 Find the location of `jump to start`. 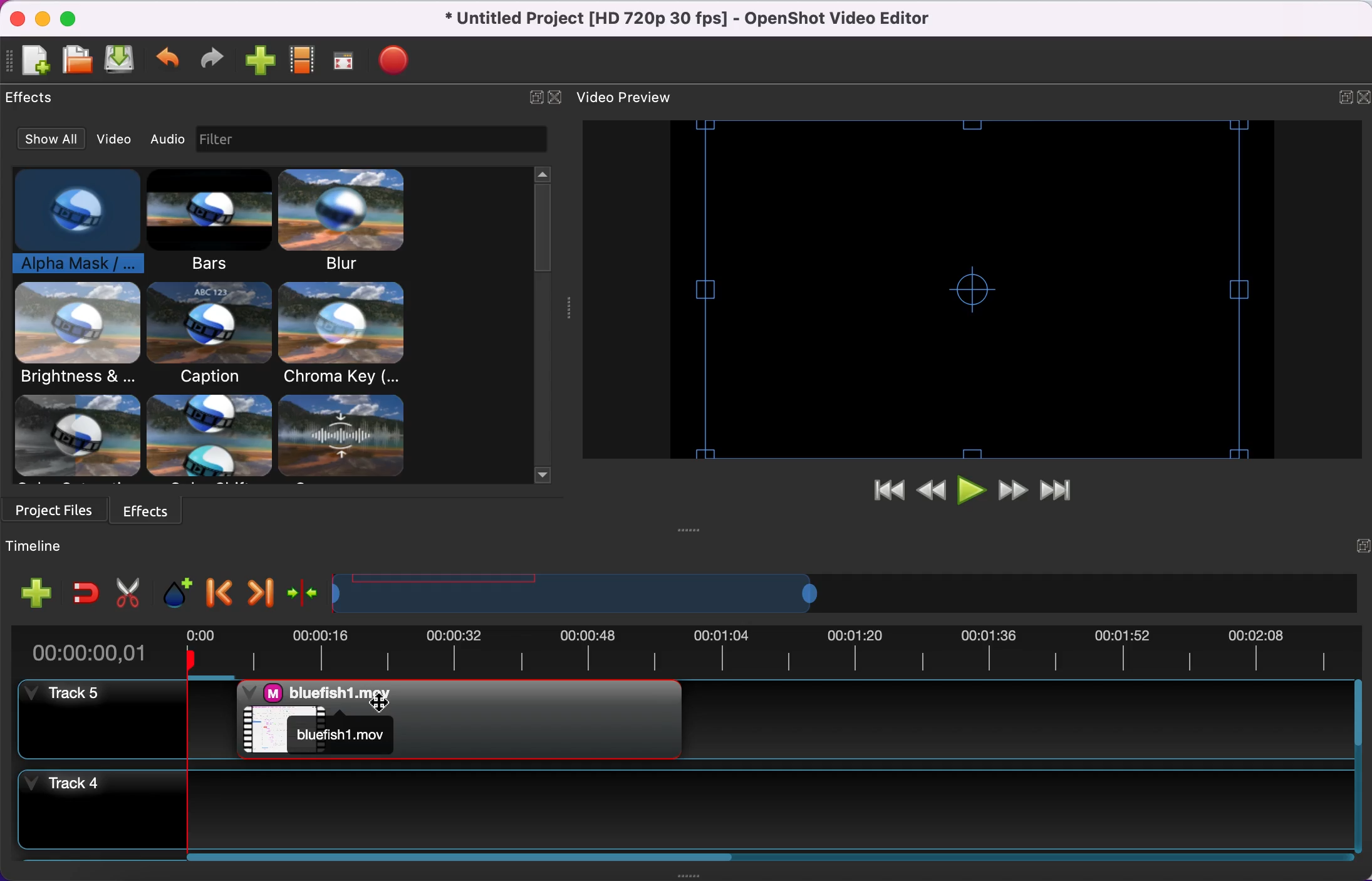

jump to start is located at coordinates (881, 493).